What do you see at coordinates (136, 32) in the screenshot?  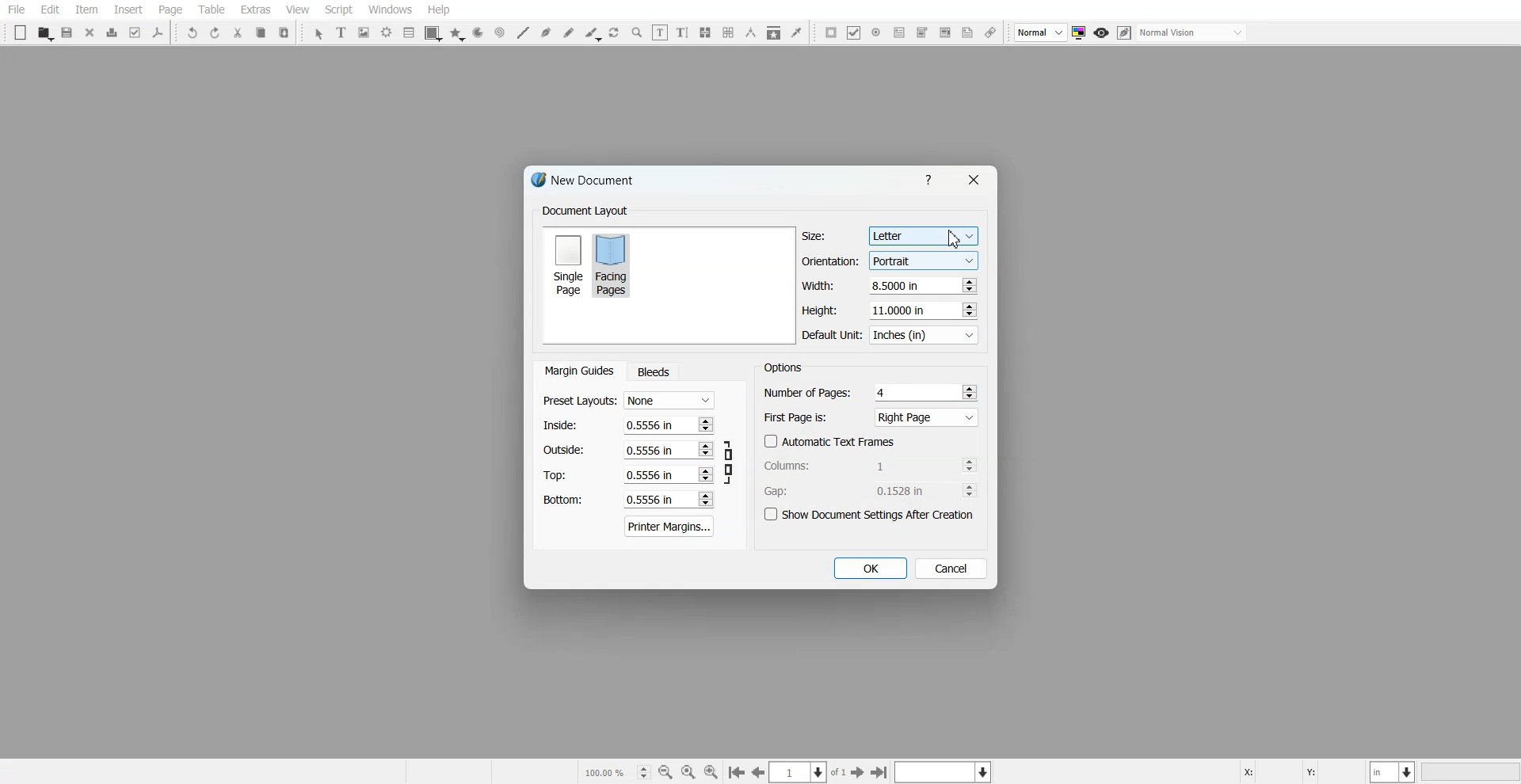 I see `Preflight Verifier` at bounding box center [136, 32].